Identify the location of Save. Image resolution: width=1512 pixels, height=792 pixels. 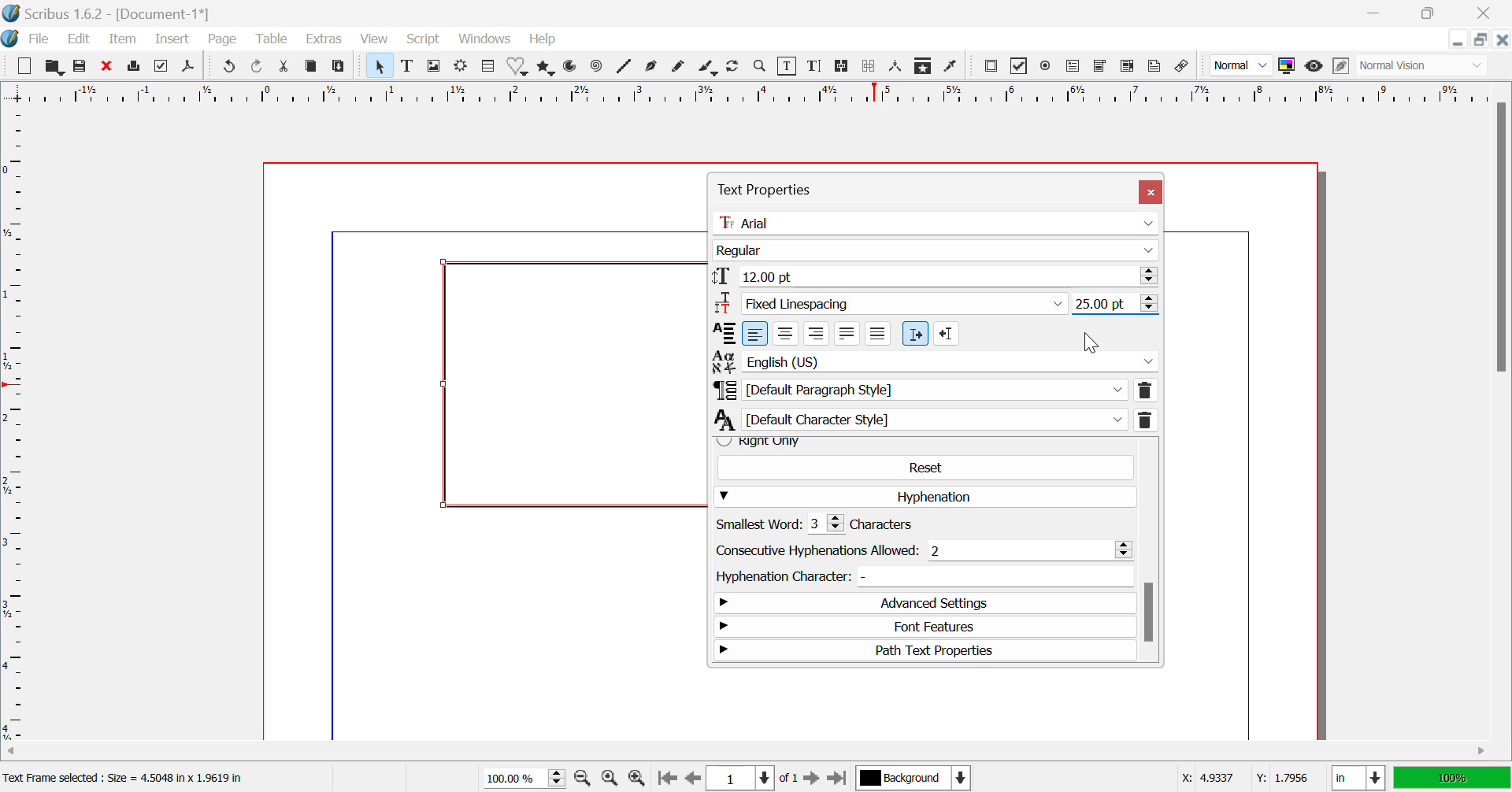
(79, 66).